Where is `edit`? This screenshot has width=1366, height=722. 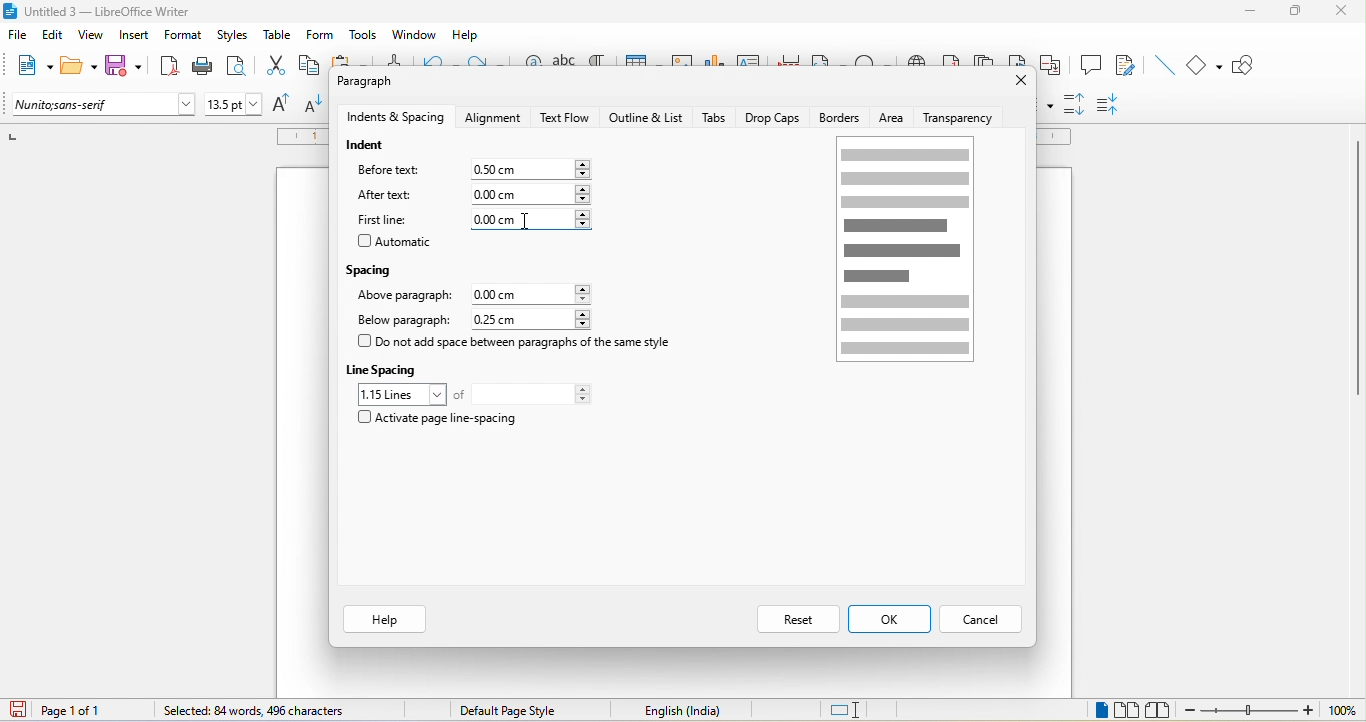
edit is located at coordinates (54, 38).